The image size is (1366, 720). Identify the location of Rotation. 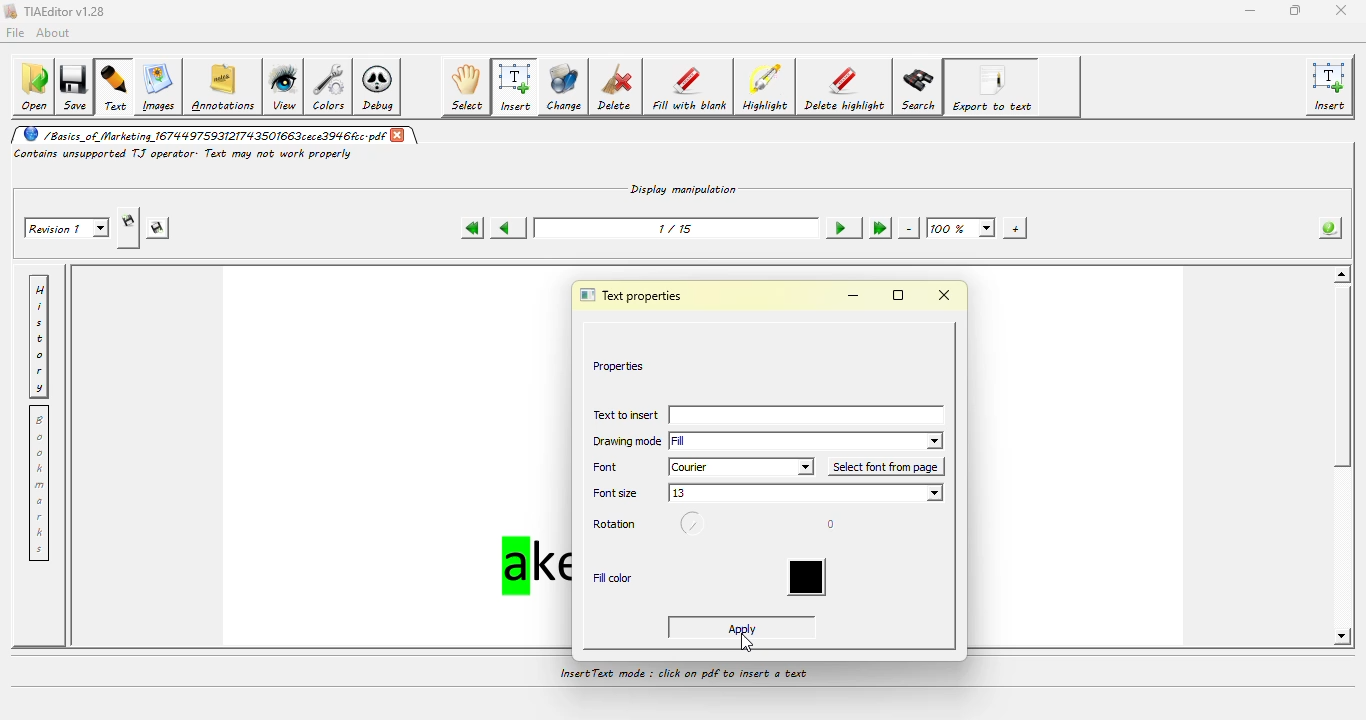
(618, 525).